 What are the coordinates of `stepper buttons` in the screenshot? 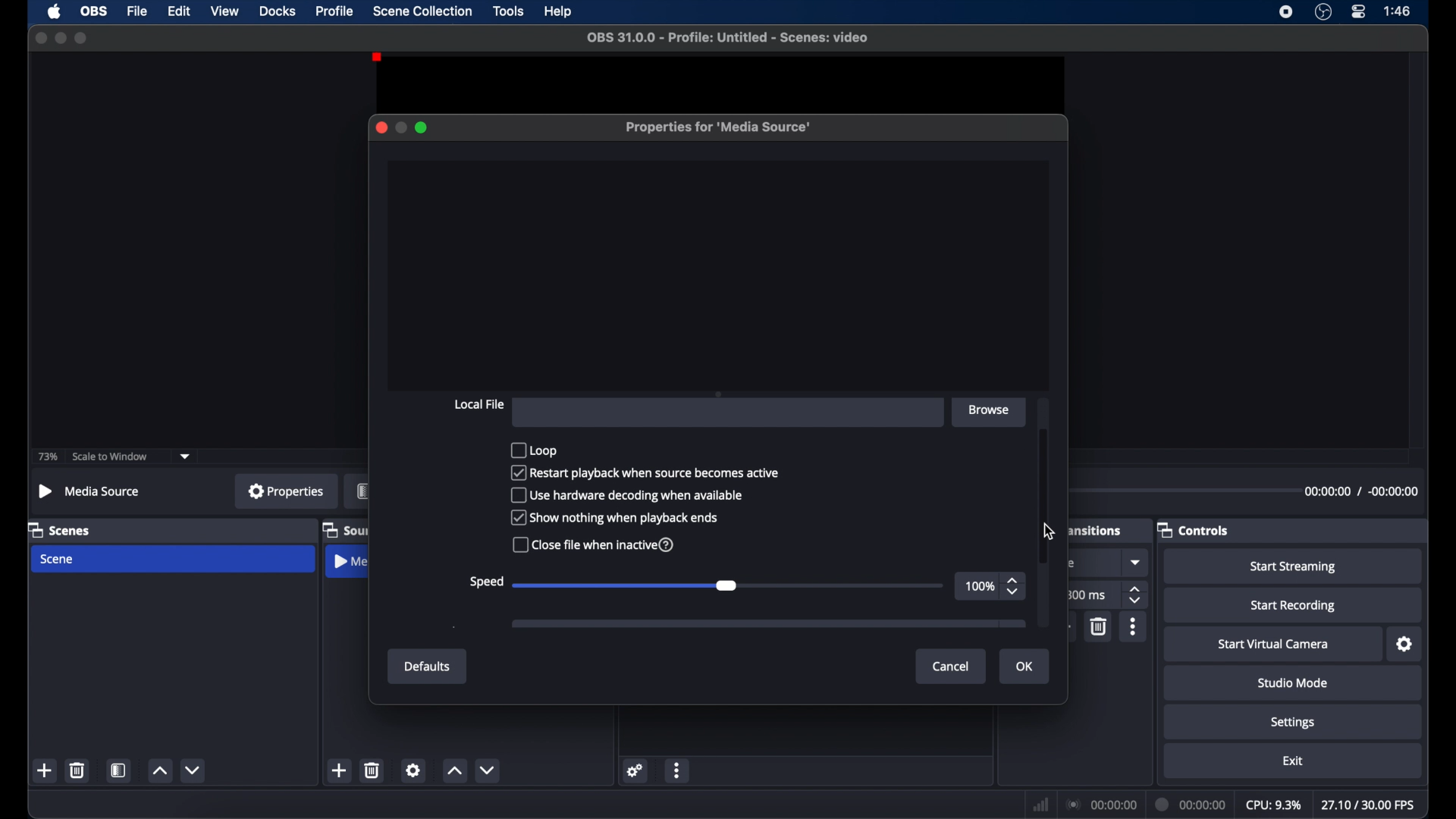 It's located at (1136, 595).